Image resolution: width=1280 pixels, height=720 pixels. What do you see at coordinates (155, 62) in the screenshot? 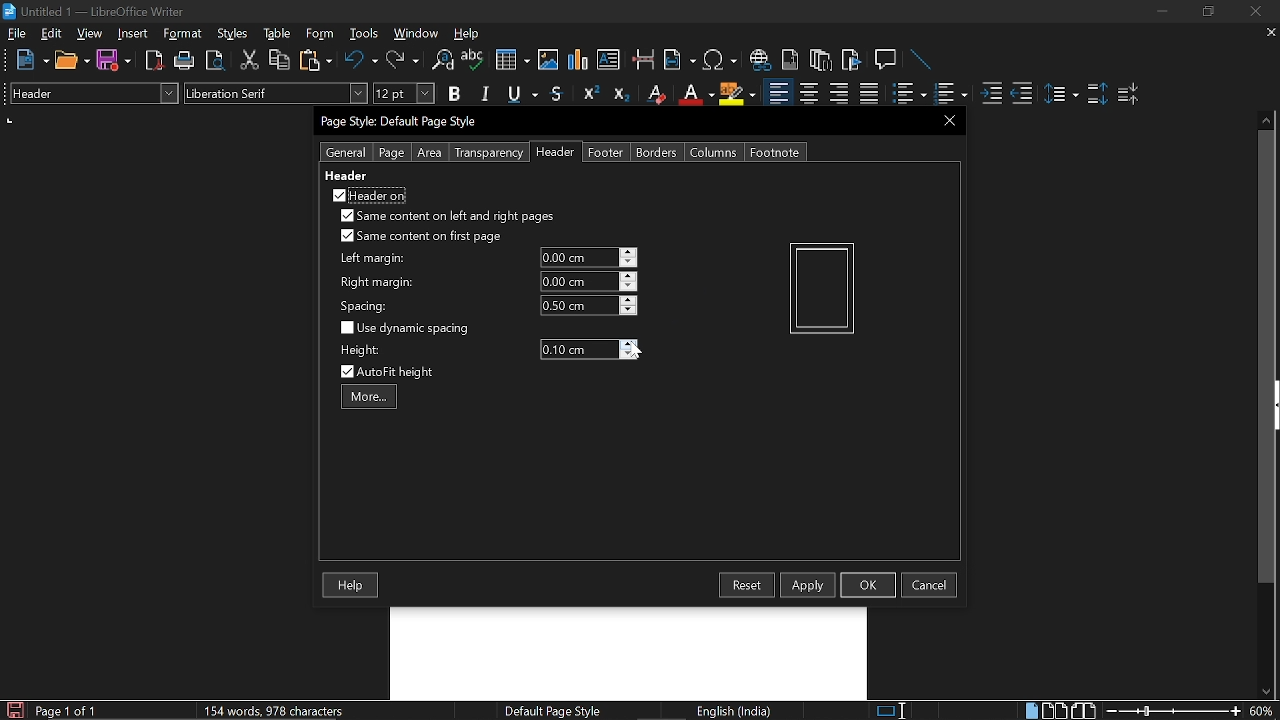
I see `export as PDF` at bounding box center [155, 62].